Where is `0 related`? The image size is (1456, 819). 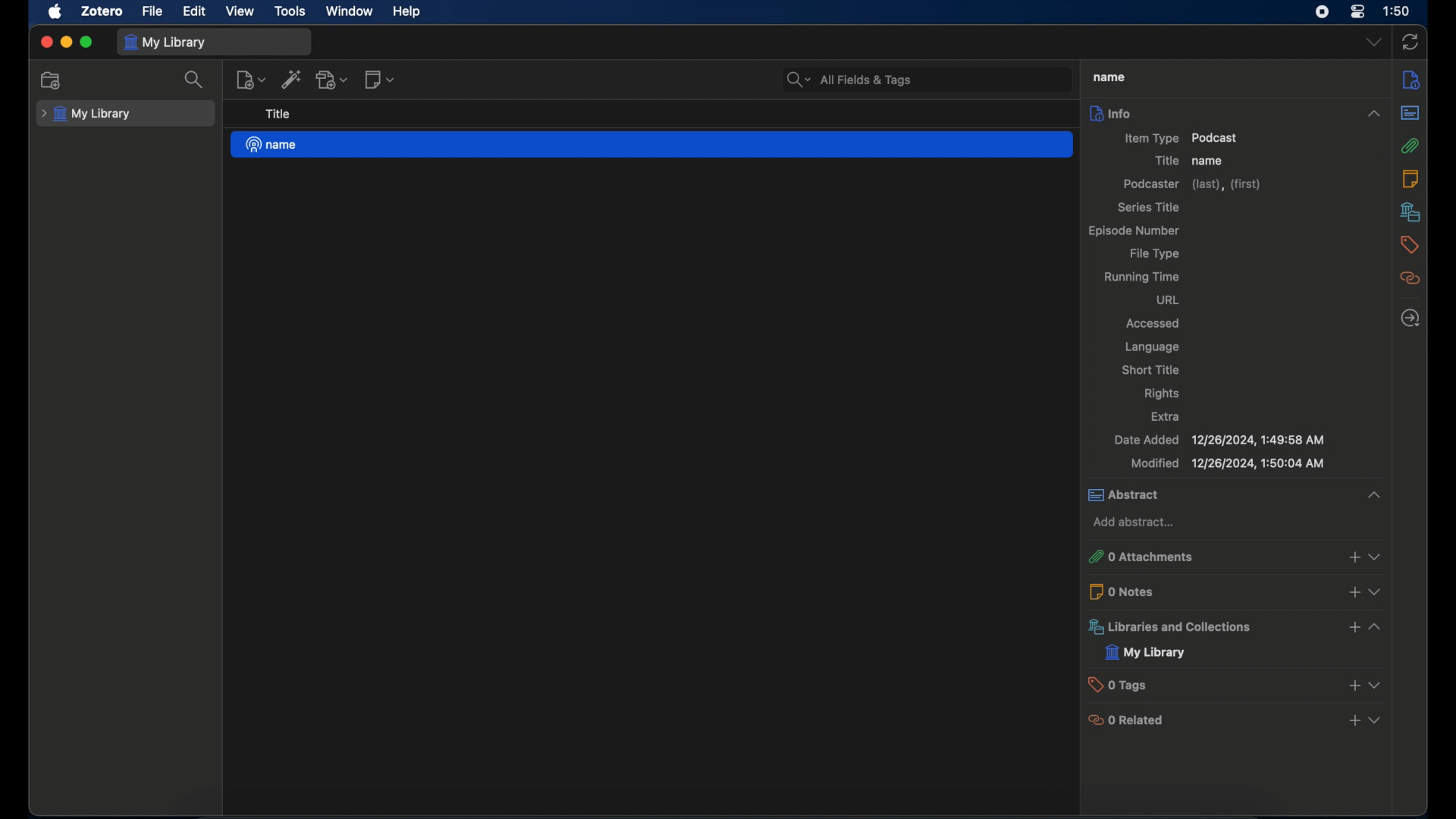
0 related is located at coordinates (1237, 721).